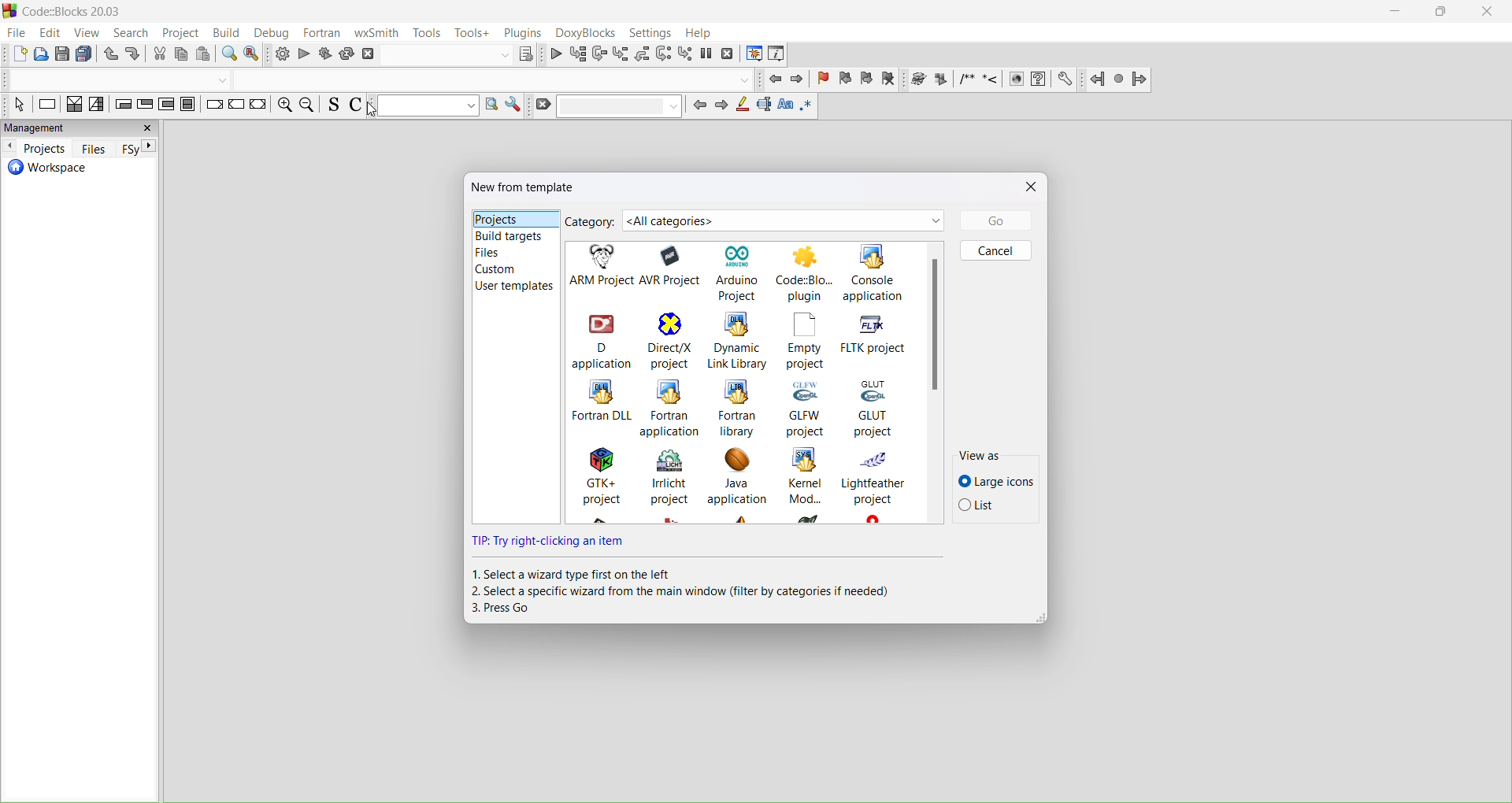 The height and width of the screenshot is (803, 1512). What do you see at coordinates (701, 33) in the screenshot?
I see `help` at bounding box center [701, 33].